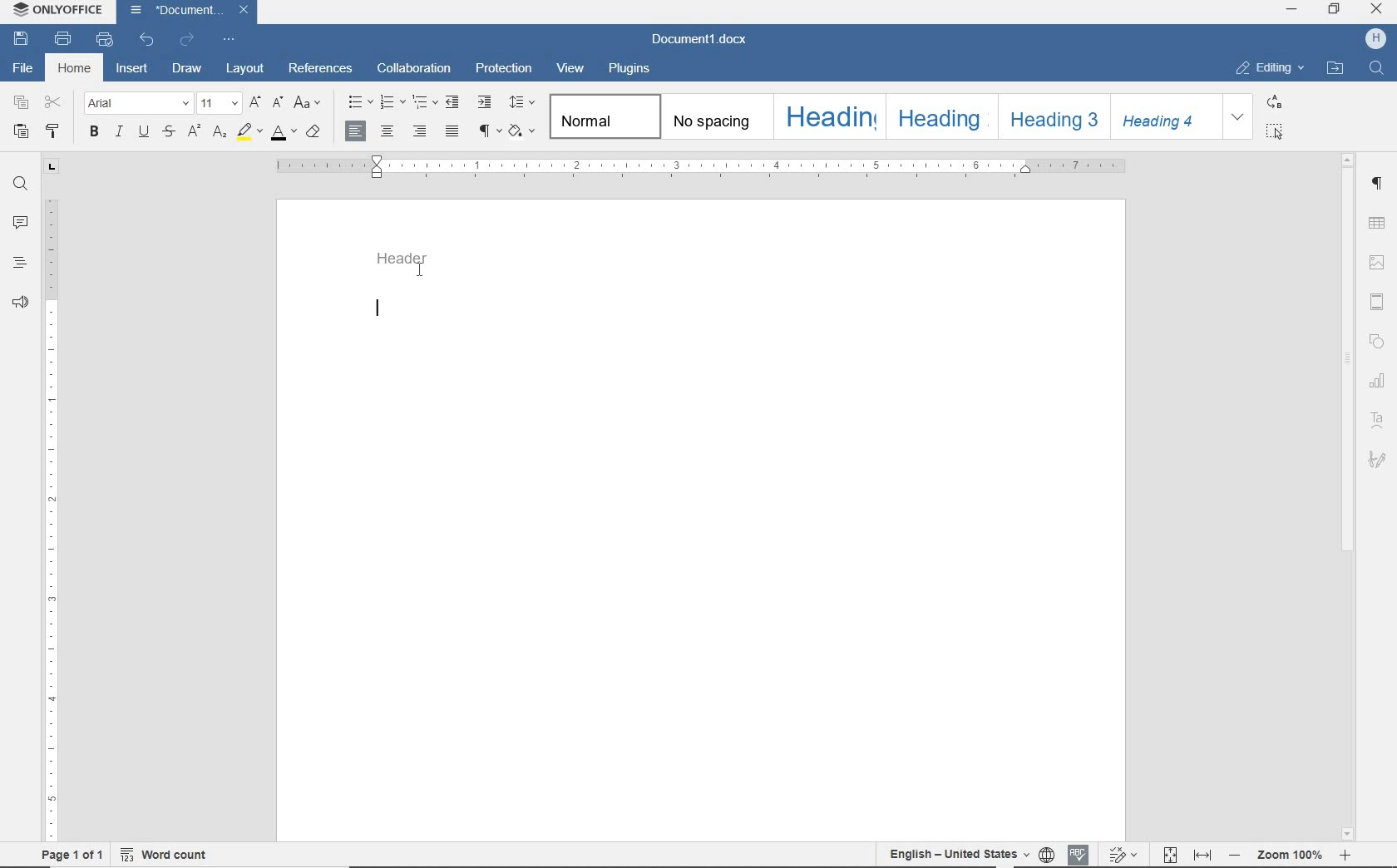 This screenshot has width=1397, height=868. Describe the element at coordinates (18, 184) in the screenshot. I see `find` at that location.